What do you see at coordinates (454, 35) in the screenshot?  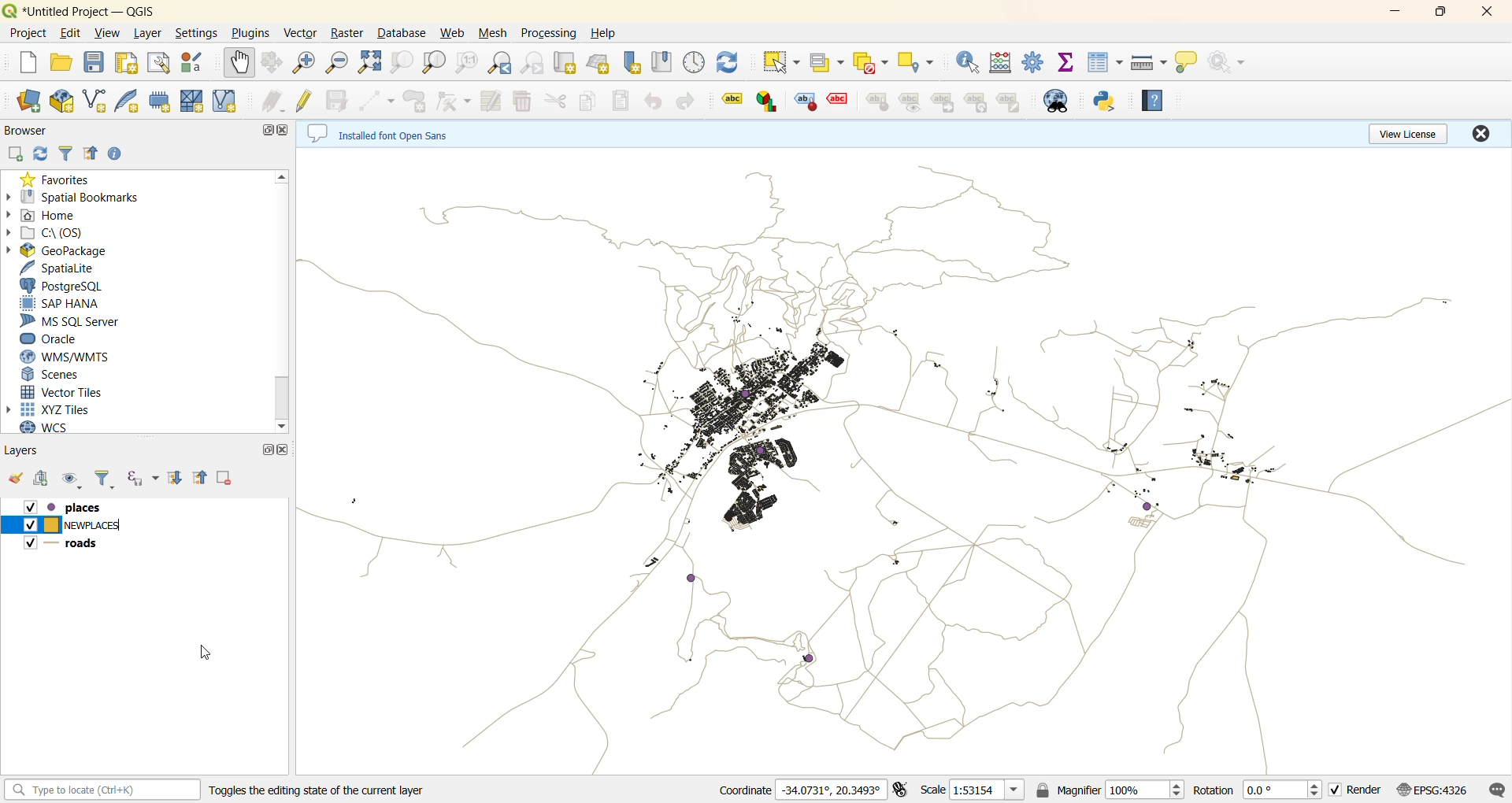 I see `web` at bounding box center [454, 35].